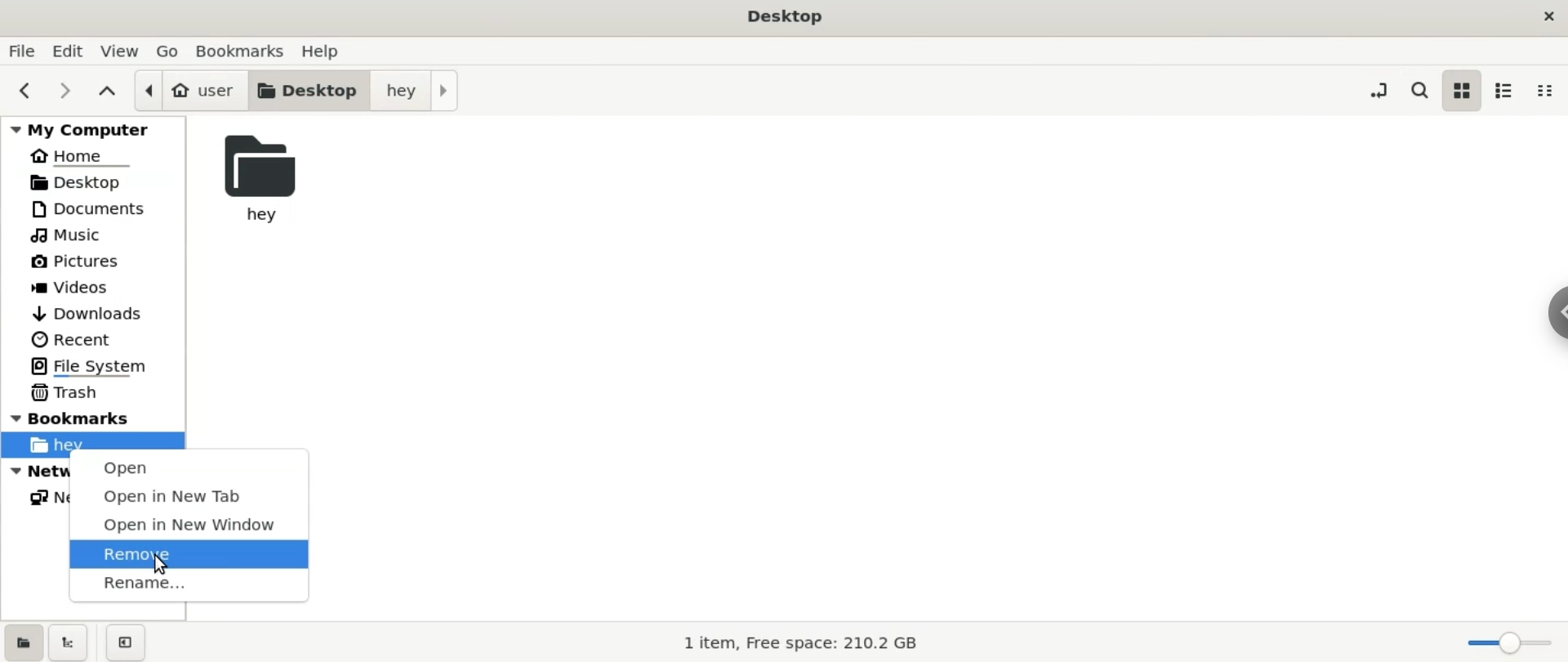  What do you see at coordinates (168, 51) in the screenshot?
I see `go ` at bounding box center [168, 51].